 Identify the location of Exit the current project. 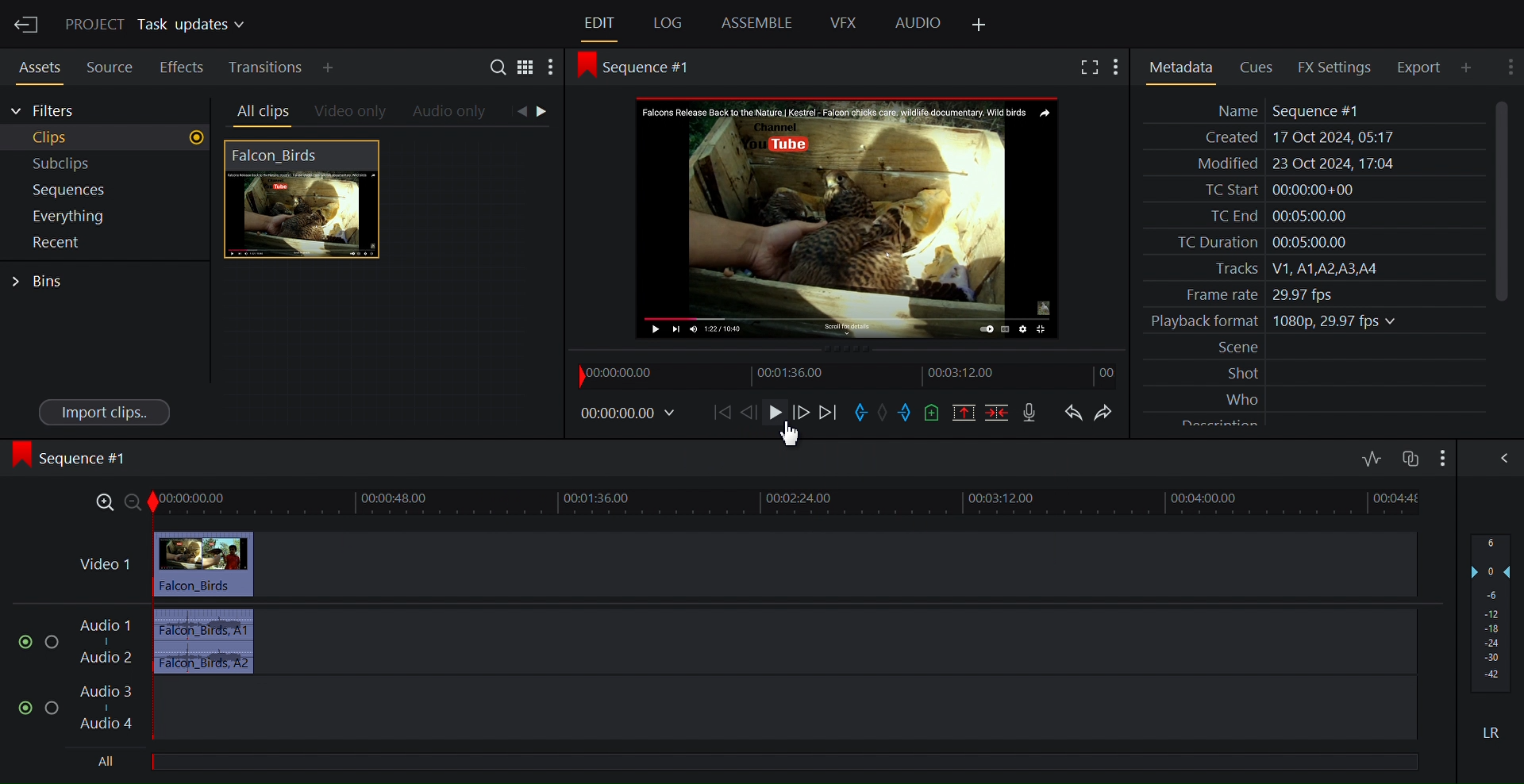
(25, 24).